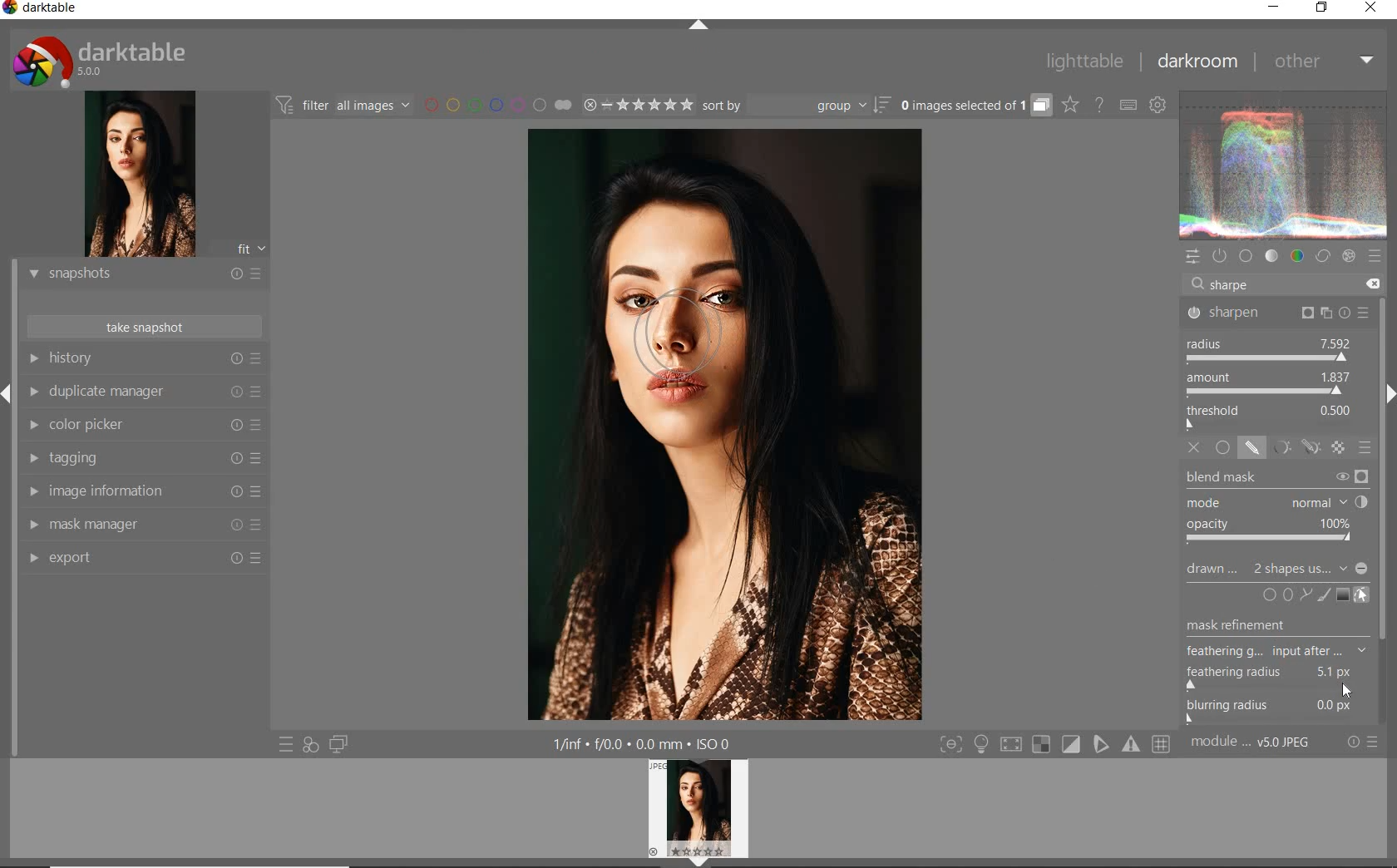 This screenshot has width=1397, height=868. What do you see at coordinates (284, 744) in the screenshot?
I see `quick access to presets` at bounding box center [284, 744].